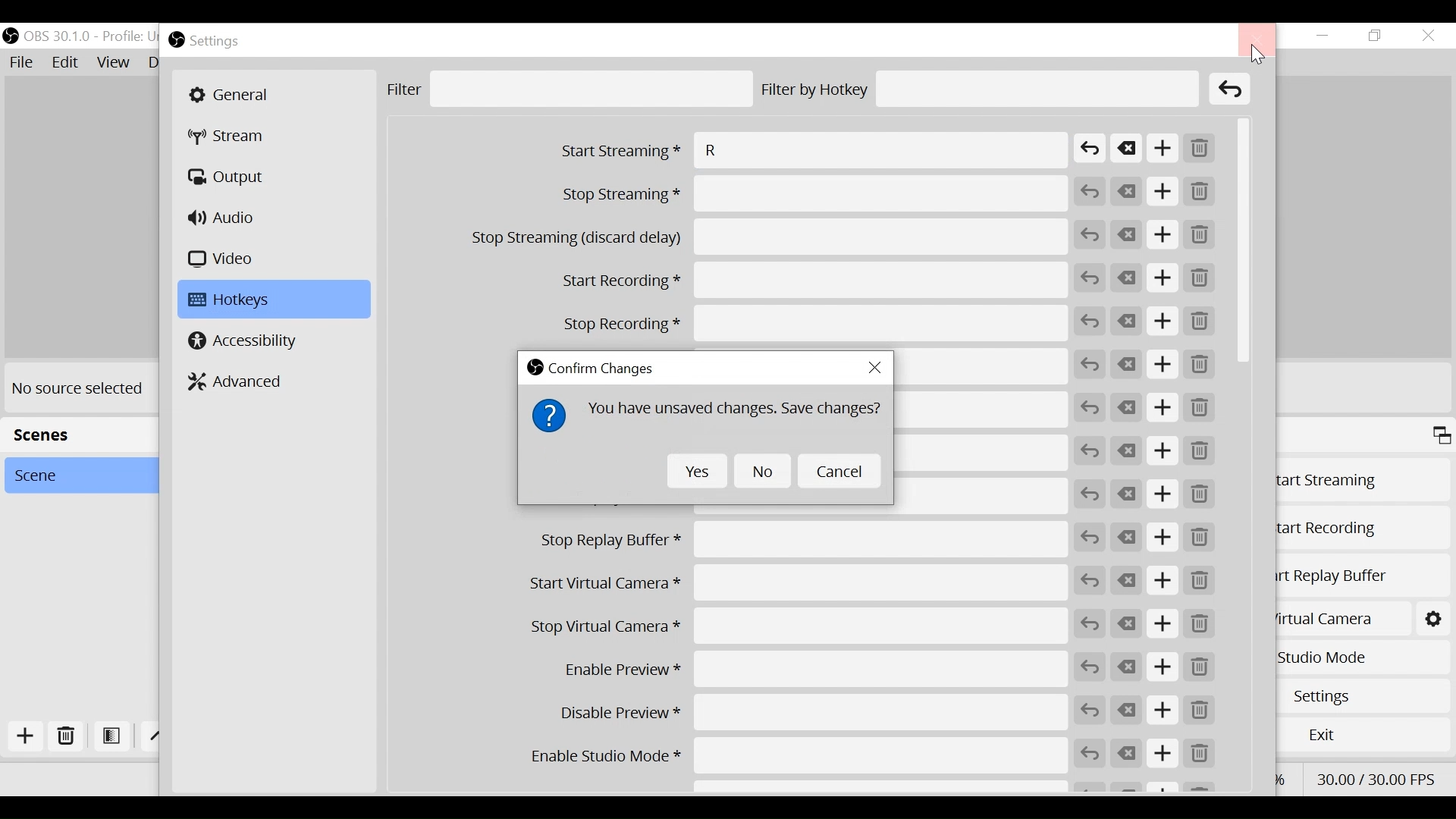 This screenshot has height=819, width=1456. Describe the element at coordinates (1166, 278) in the screenshot. I see `Add` at that location.